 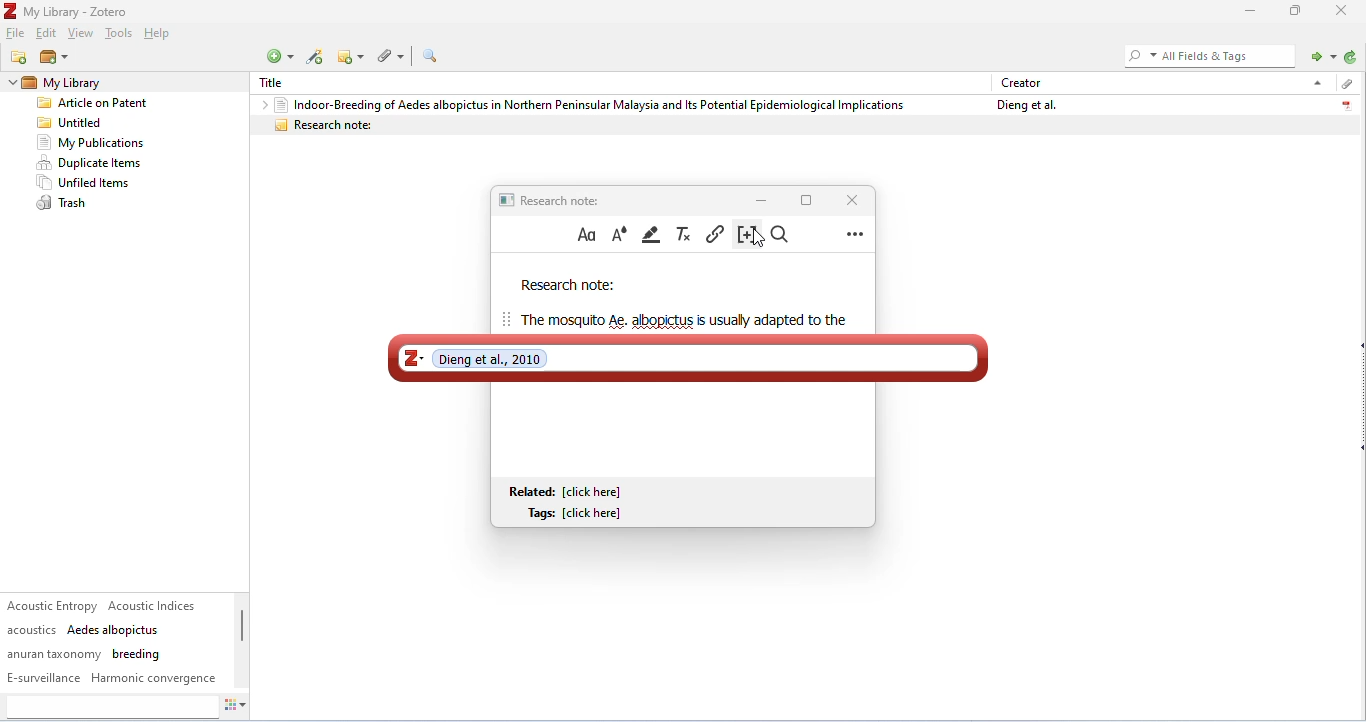 What do you see at coordinates (91, 163) in the screenshot?
I see `duplicate items` at bounding box center [91, 163].